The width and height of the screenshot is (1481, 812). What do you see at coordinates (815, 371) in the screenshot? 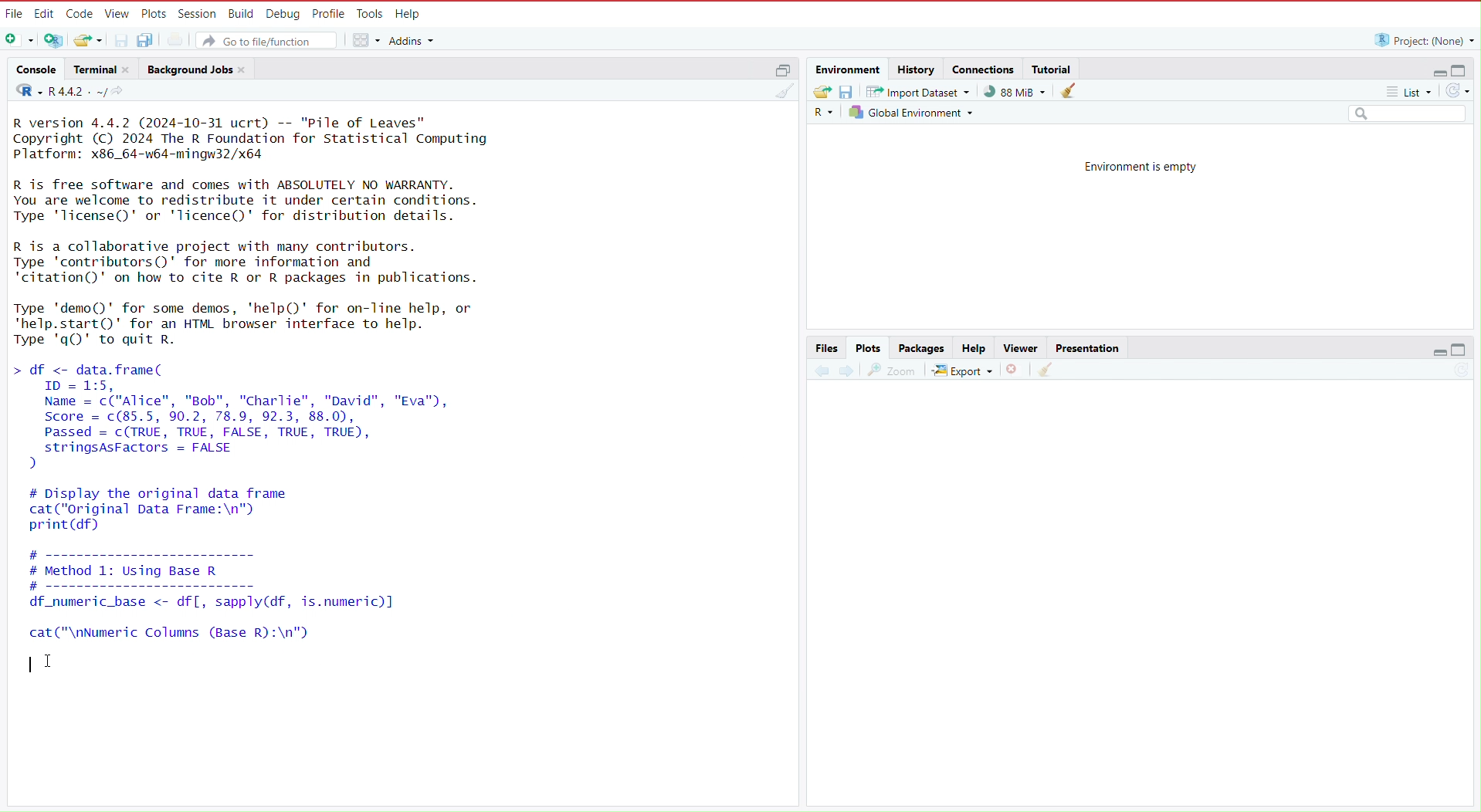
I see `previous plot` at bounding box center [815, 371].